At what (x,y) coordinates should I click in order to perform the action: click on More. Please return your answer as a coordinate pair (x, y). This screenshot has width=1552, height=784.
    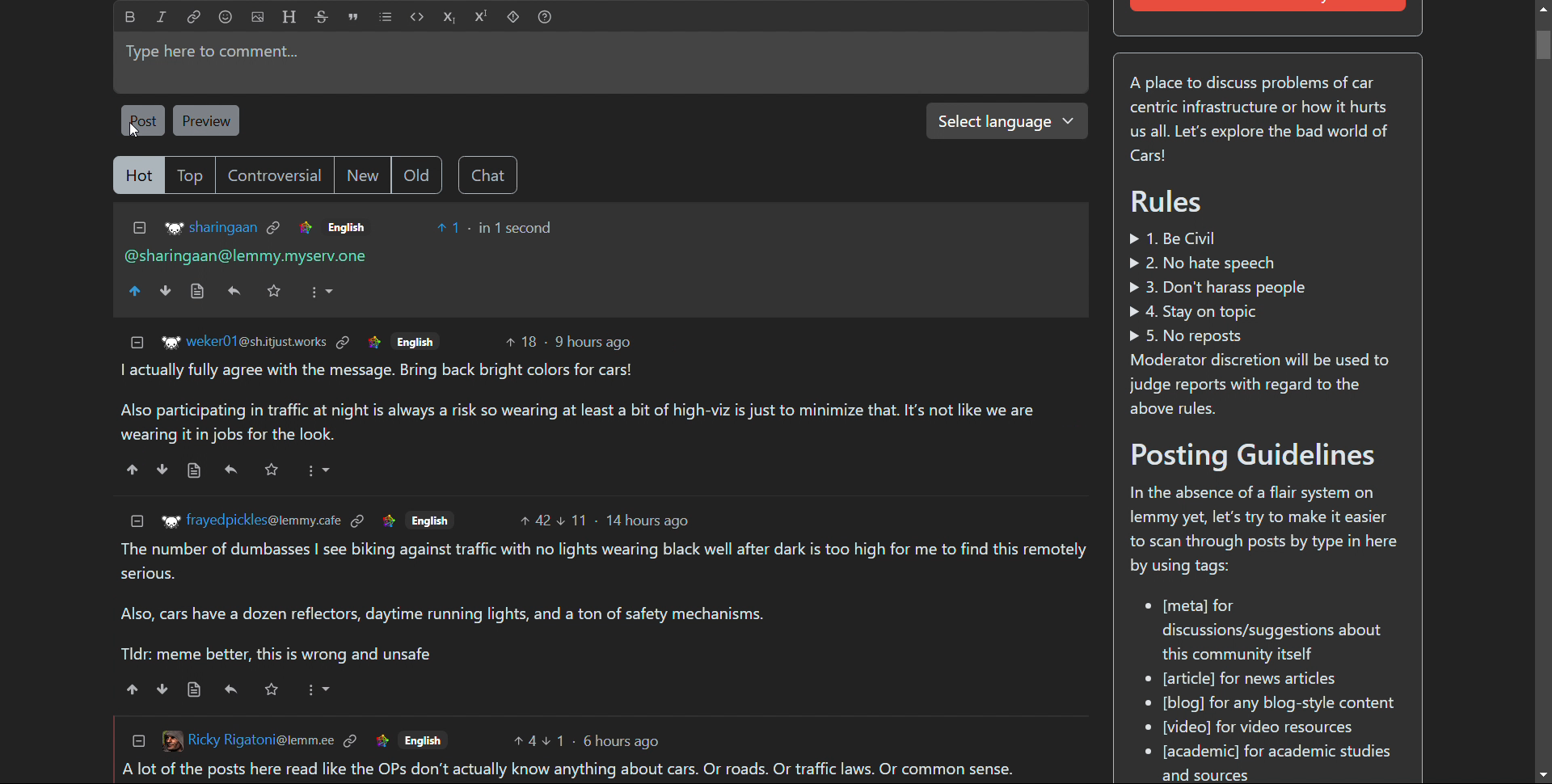
    Looking at the image, I should click on (319, 470).